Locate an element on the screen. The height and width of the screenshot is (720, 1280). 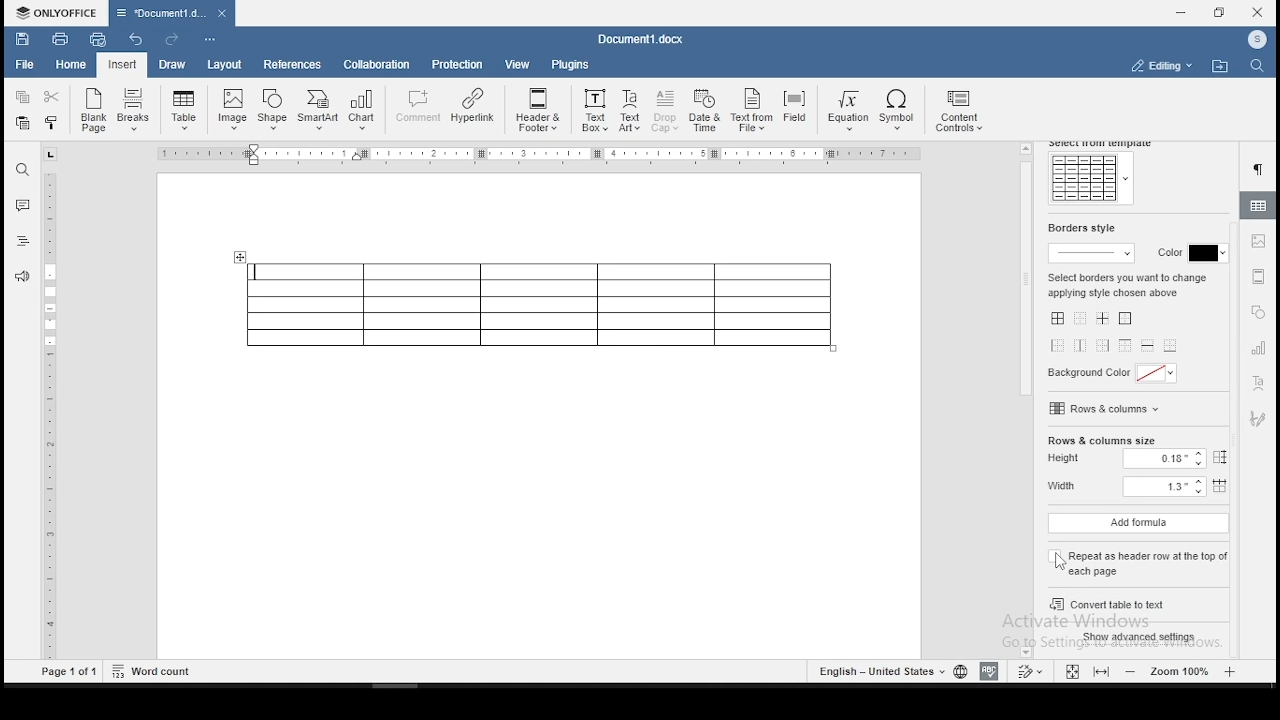
quick print is located at coordinates (98, 39).